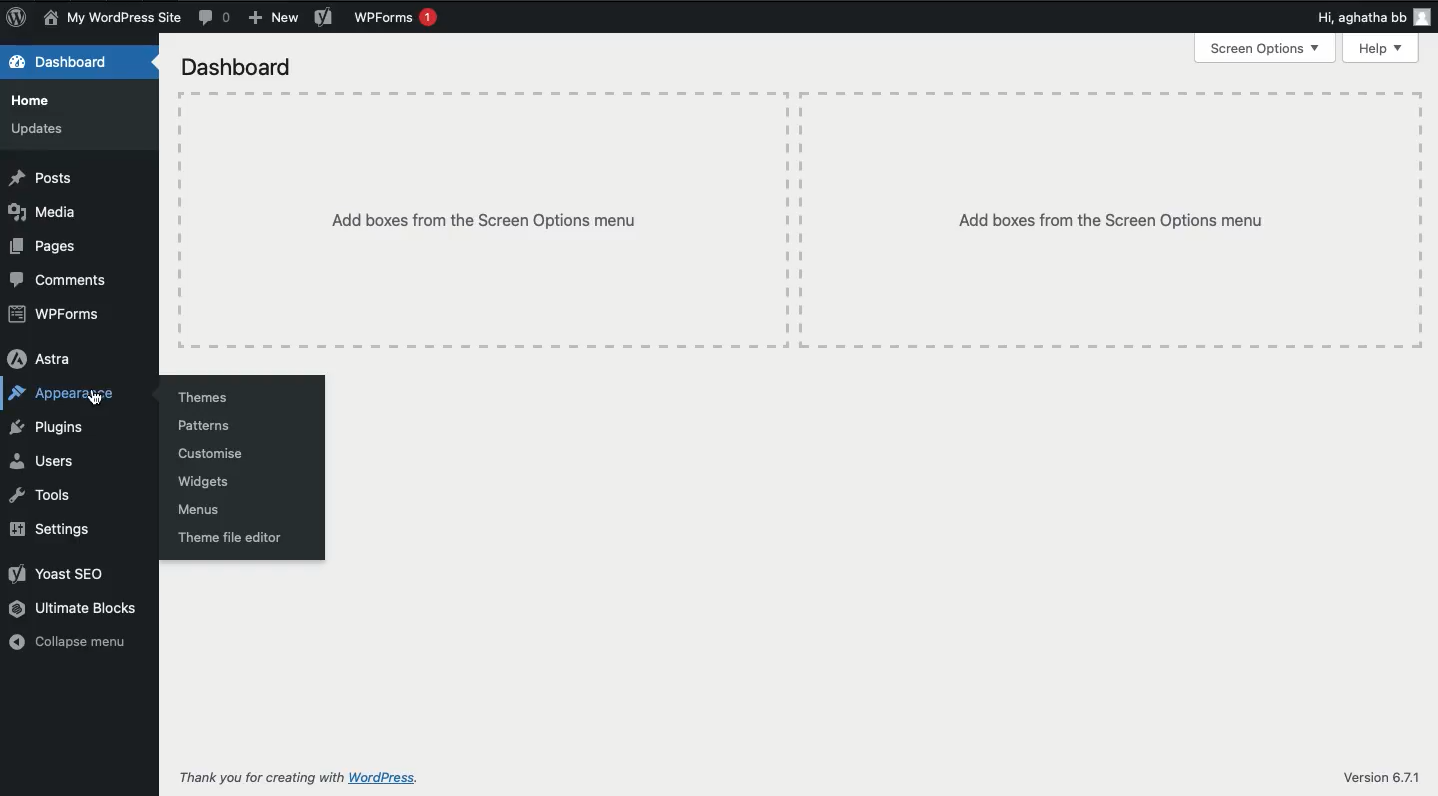 This screenshot has width=1438, height=796. I want to click on Astra, so click(44, 358).